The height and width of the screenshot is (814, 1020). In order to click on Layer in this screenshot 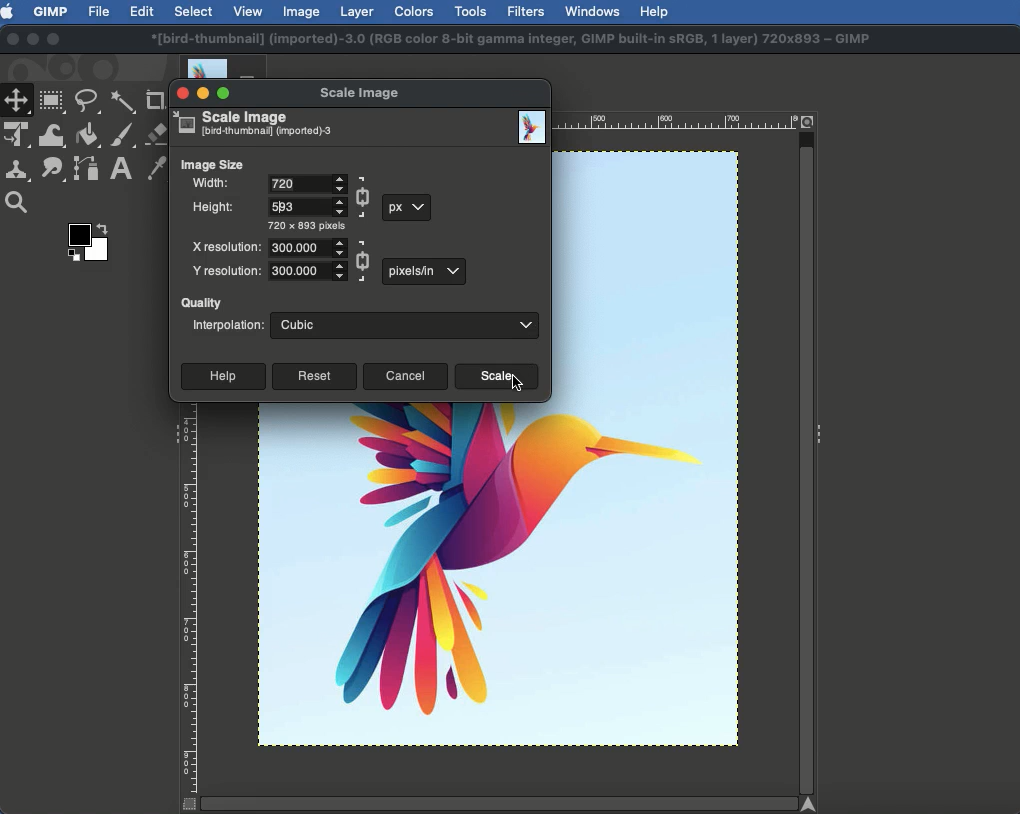, I will do `click(357, 12)`.